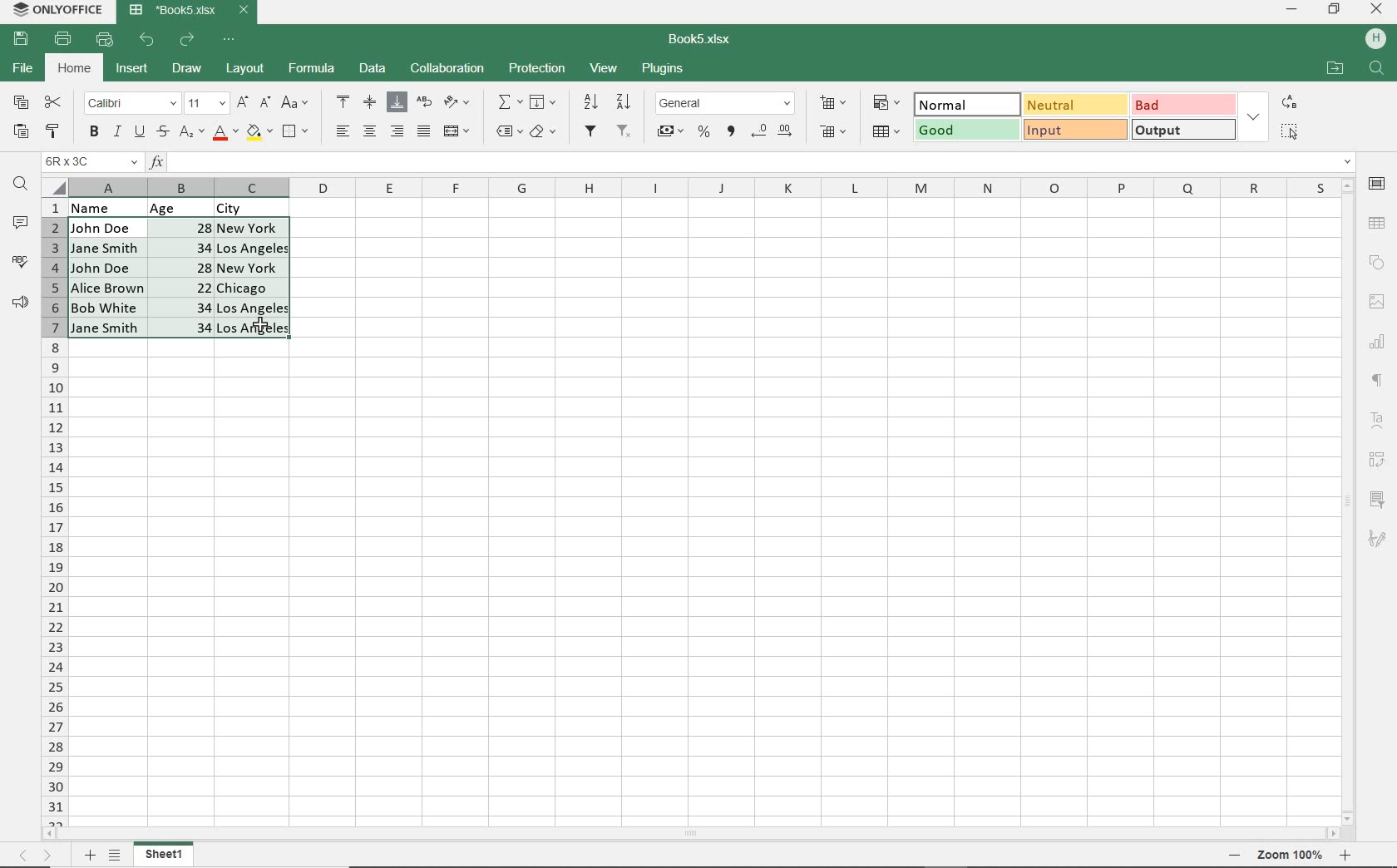  I want to click on DATA, so click(373, 70).